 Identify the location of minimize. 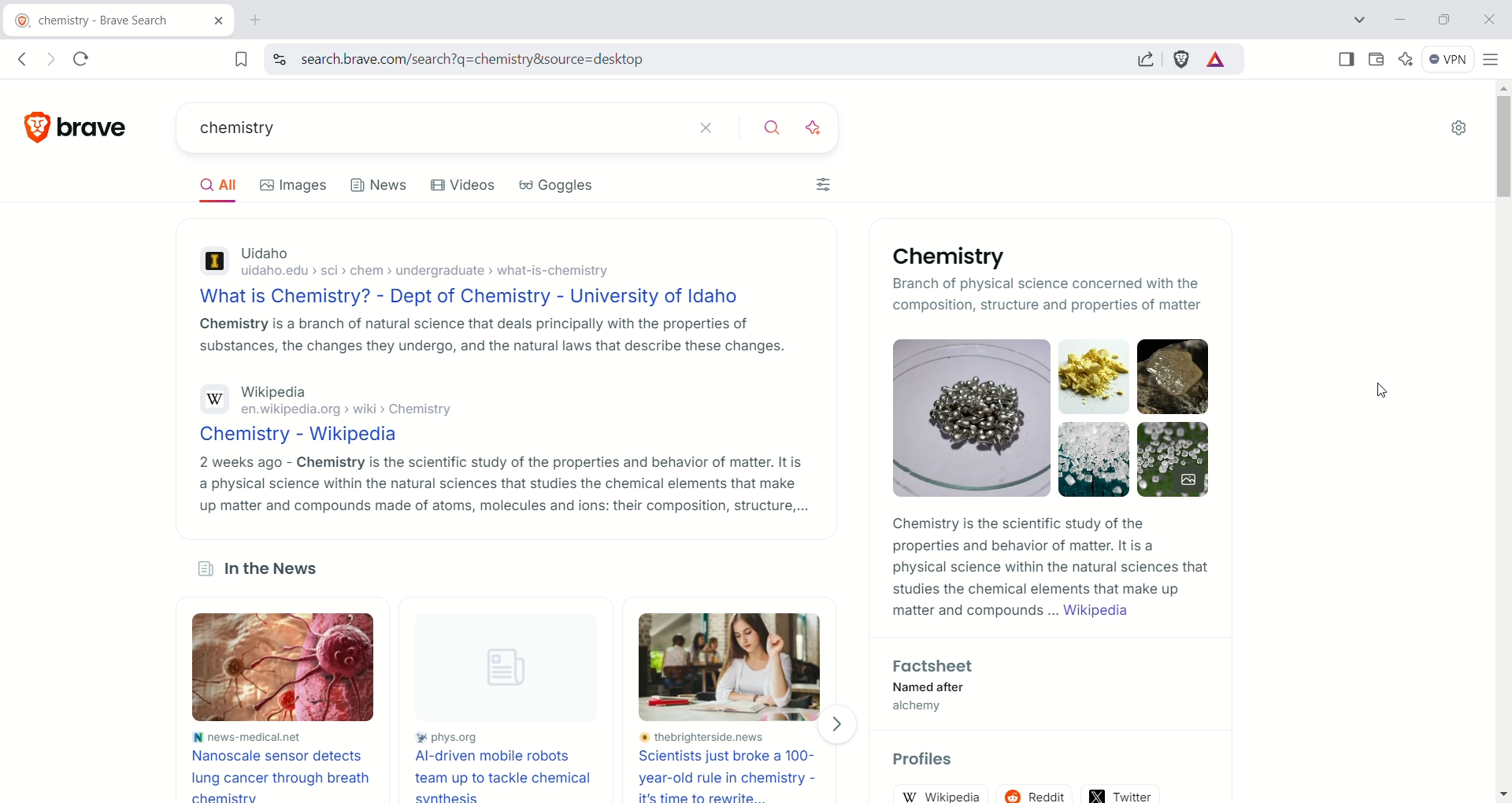
(1400, 20).